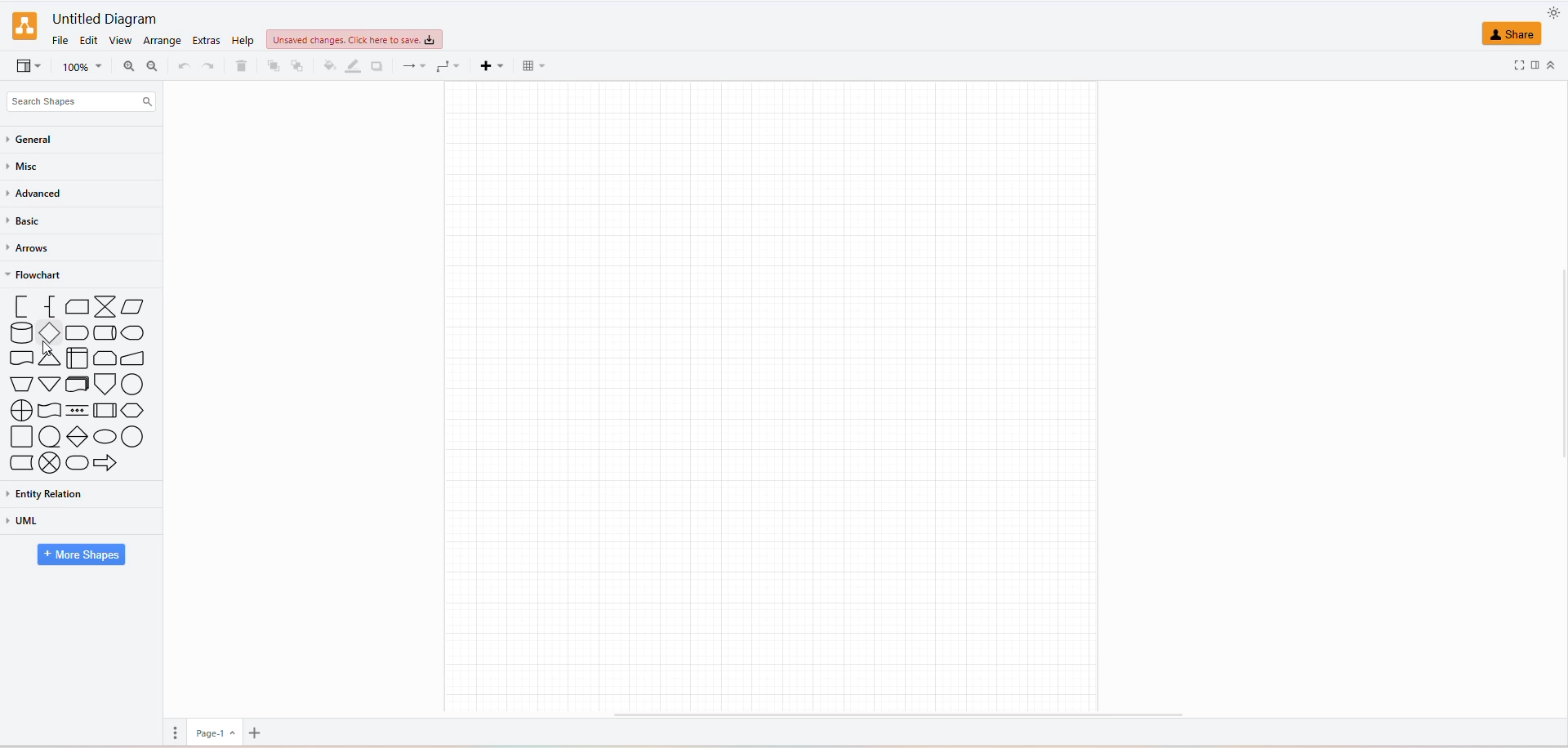 Image resolution: width=1568 pixels, height=748 pixels. I want to click on ZOOM IN , so click(127, 67).